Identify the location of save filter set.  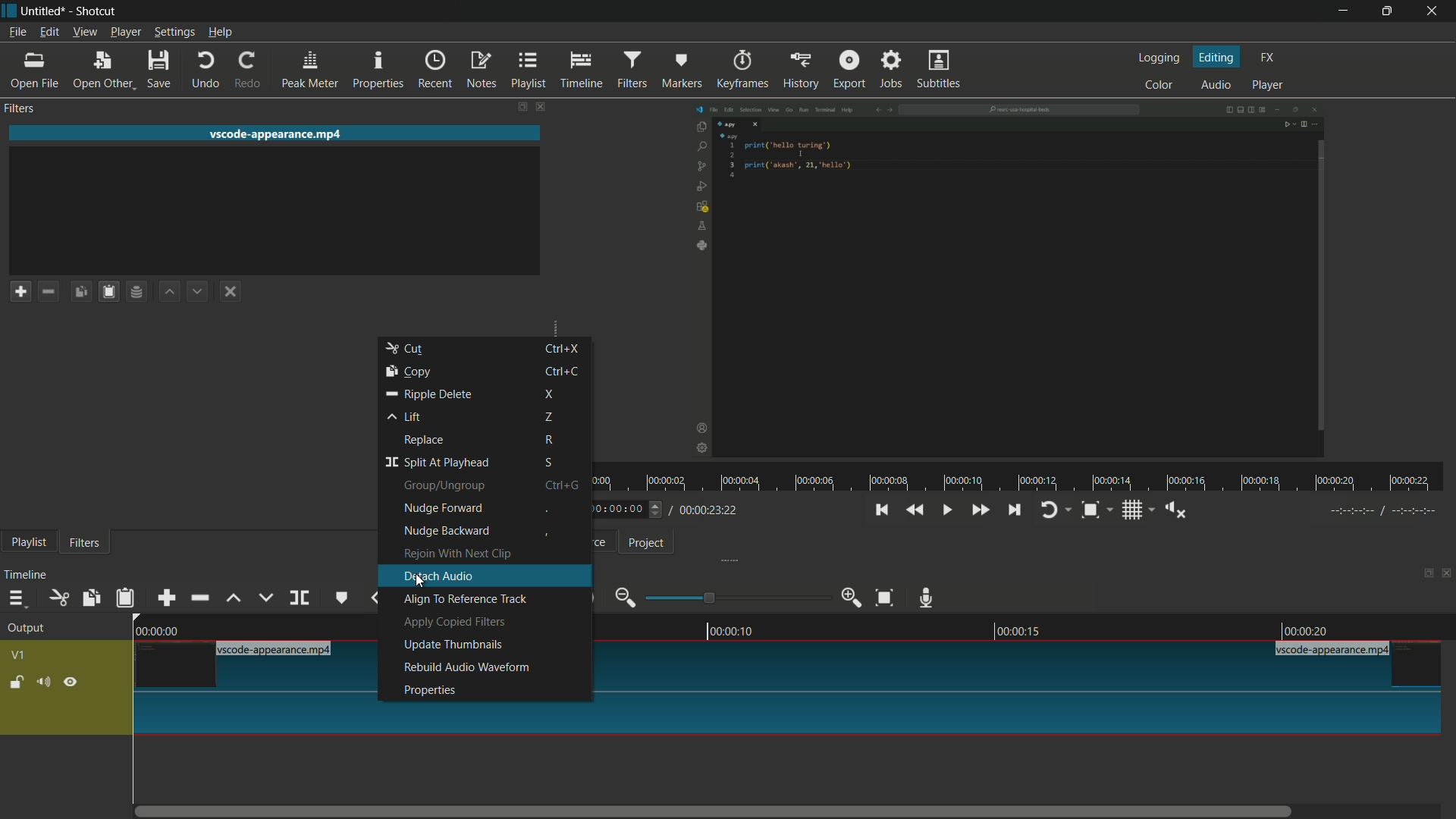
(136, 293).